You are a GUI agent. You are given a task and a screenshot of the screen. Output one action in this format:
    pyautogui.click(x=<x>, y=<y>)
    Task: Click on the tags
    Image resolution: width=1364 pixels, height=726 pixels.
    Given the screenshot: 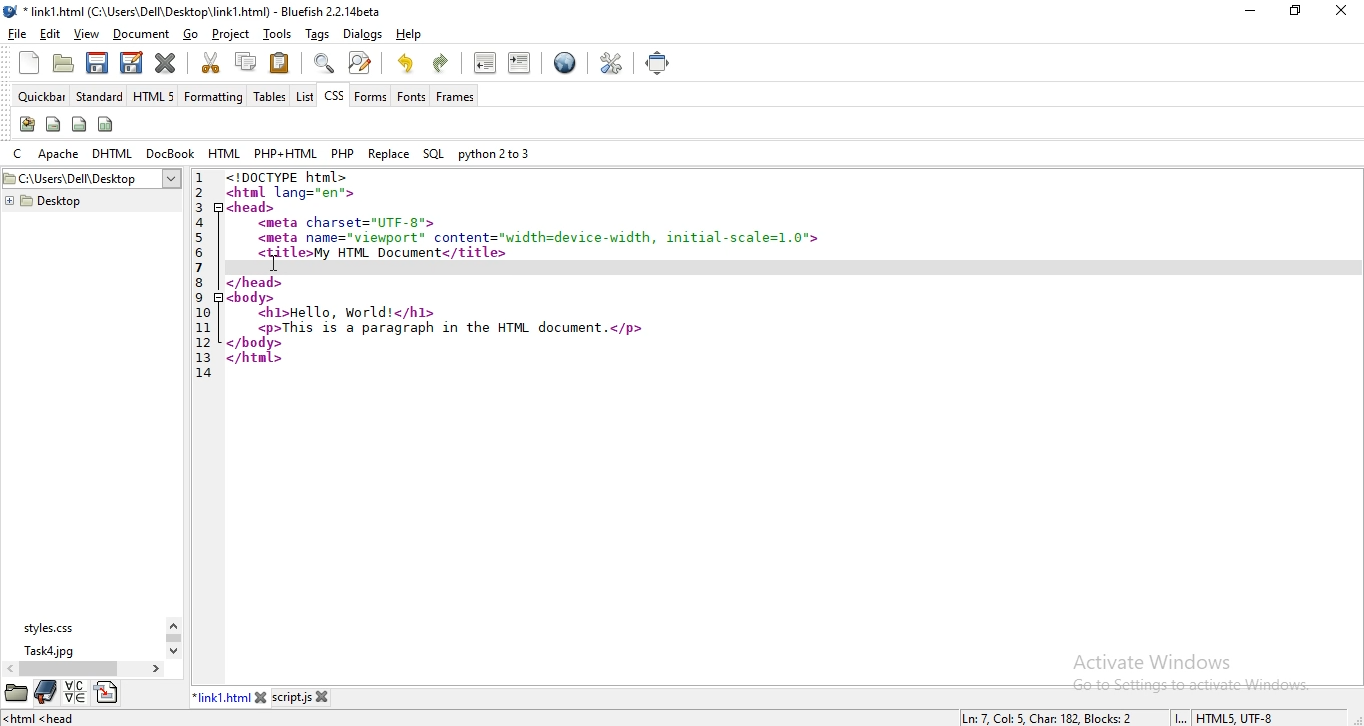 What is the action you would take?
    pyautogui.click(x=317, y=34)
    